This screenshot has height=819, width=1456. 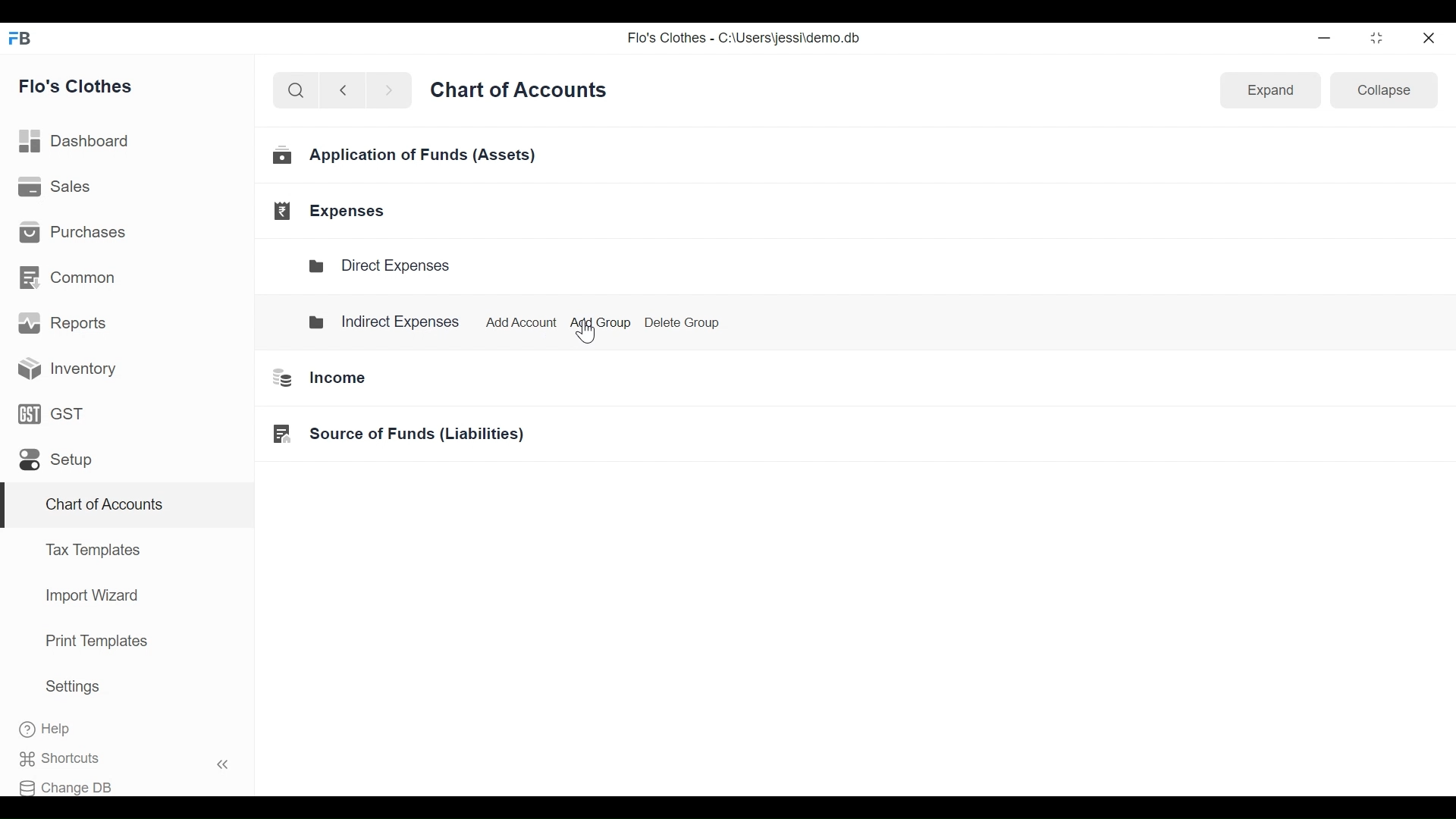 I want to click on restore down, so click(x=1375, y=39).